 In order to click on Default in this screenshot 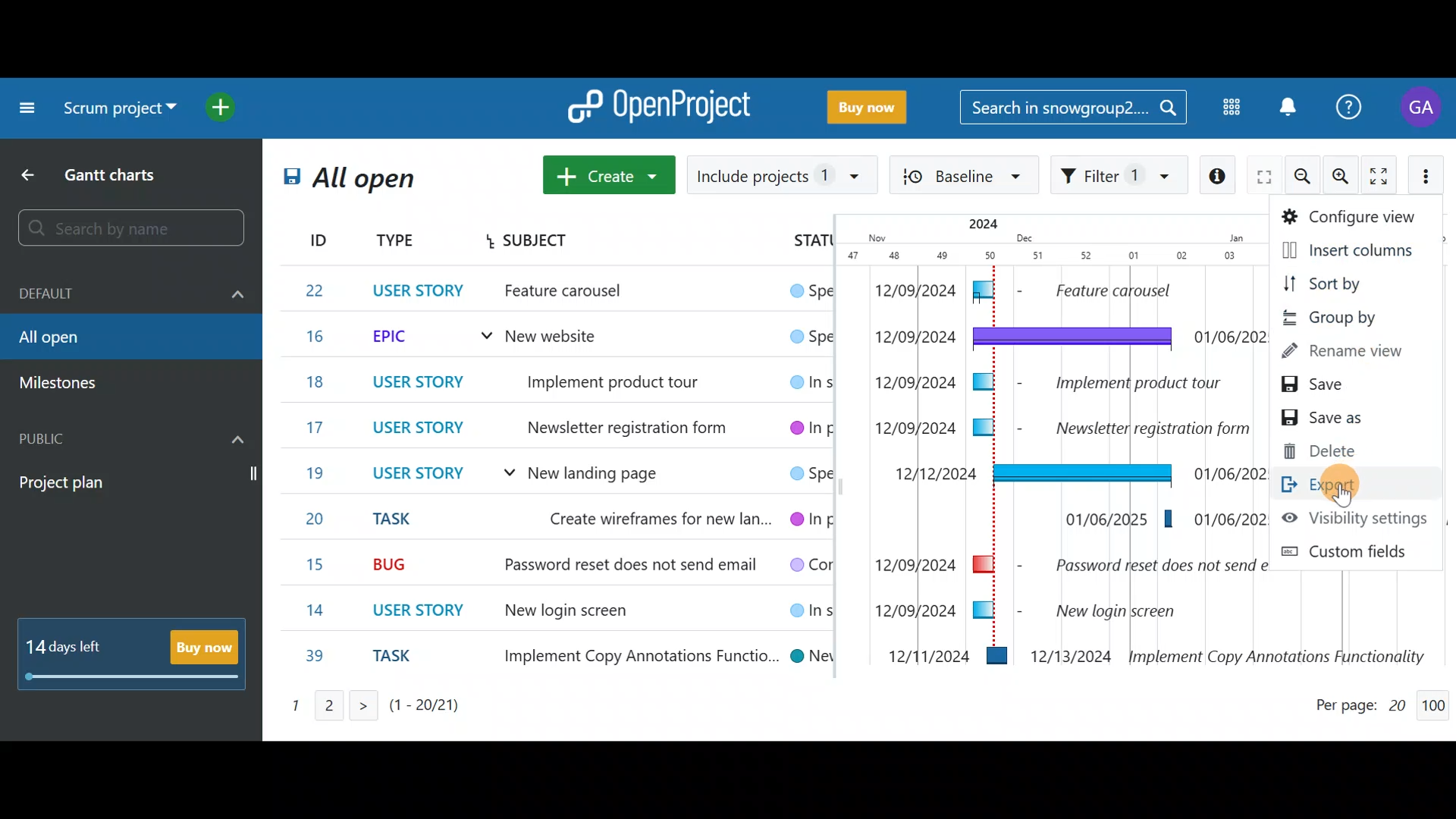, I will do `click(133, 295)`.